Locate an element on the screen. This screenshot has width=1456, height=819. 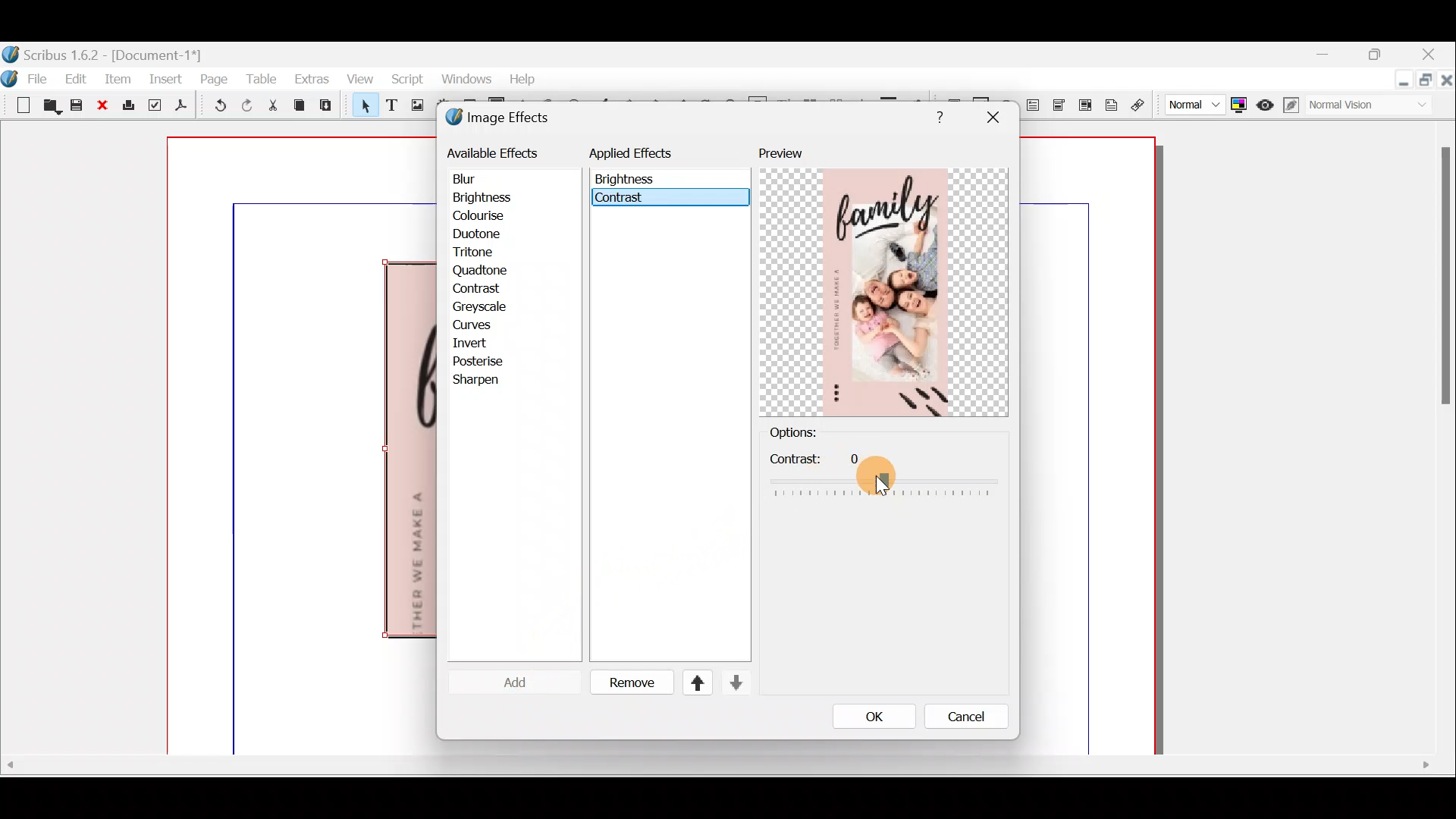
Toggle colour management system is located at coordinates (1239, 102).